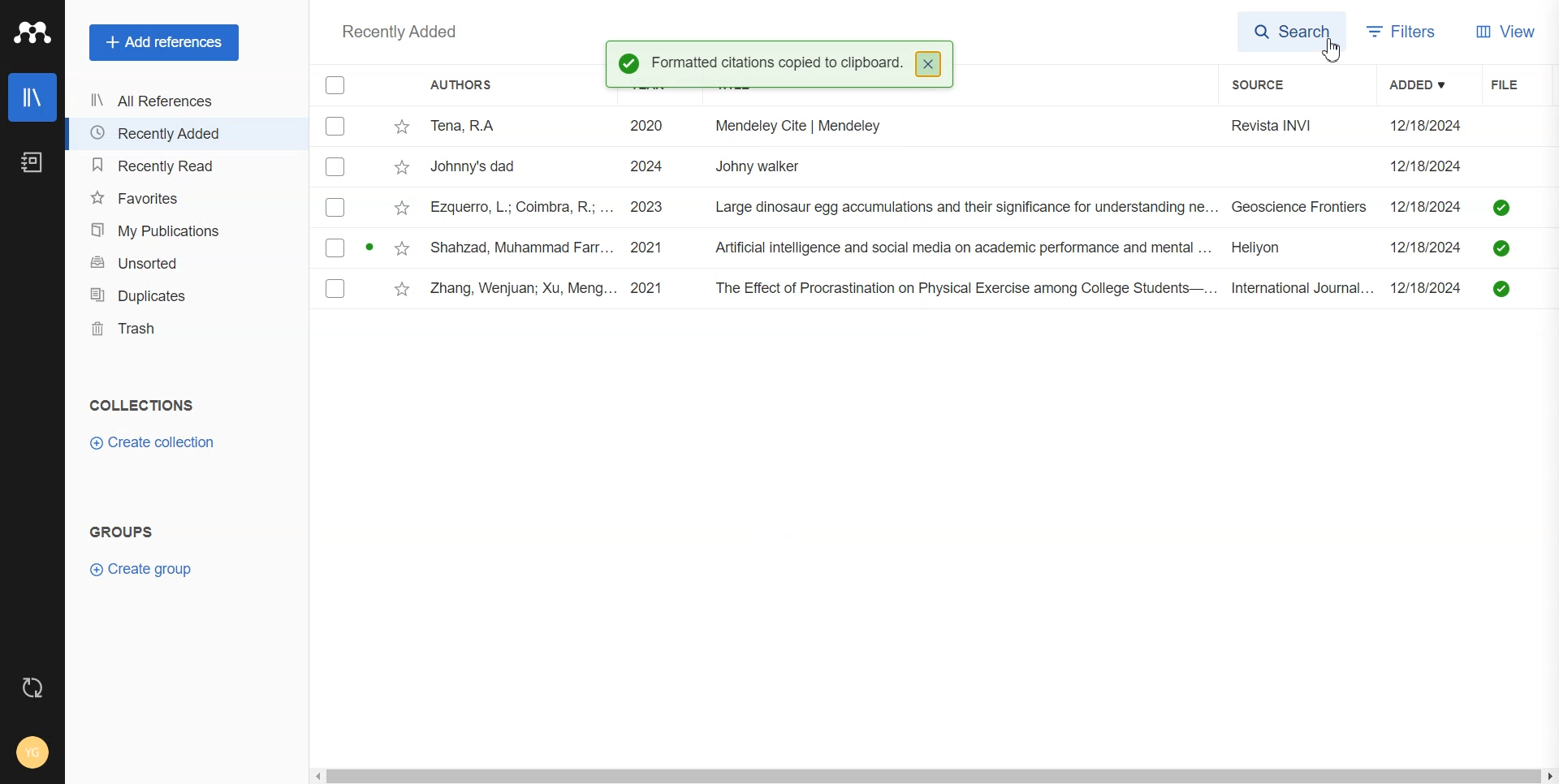 The height and width of the screenshot is (784, 1559). Describe the element at coordinates (892, 129) in the screenshot. I see `Tena, RA 2020 i. Mendeley Cite | Mendeley Revista INVI` at that location.